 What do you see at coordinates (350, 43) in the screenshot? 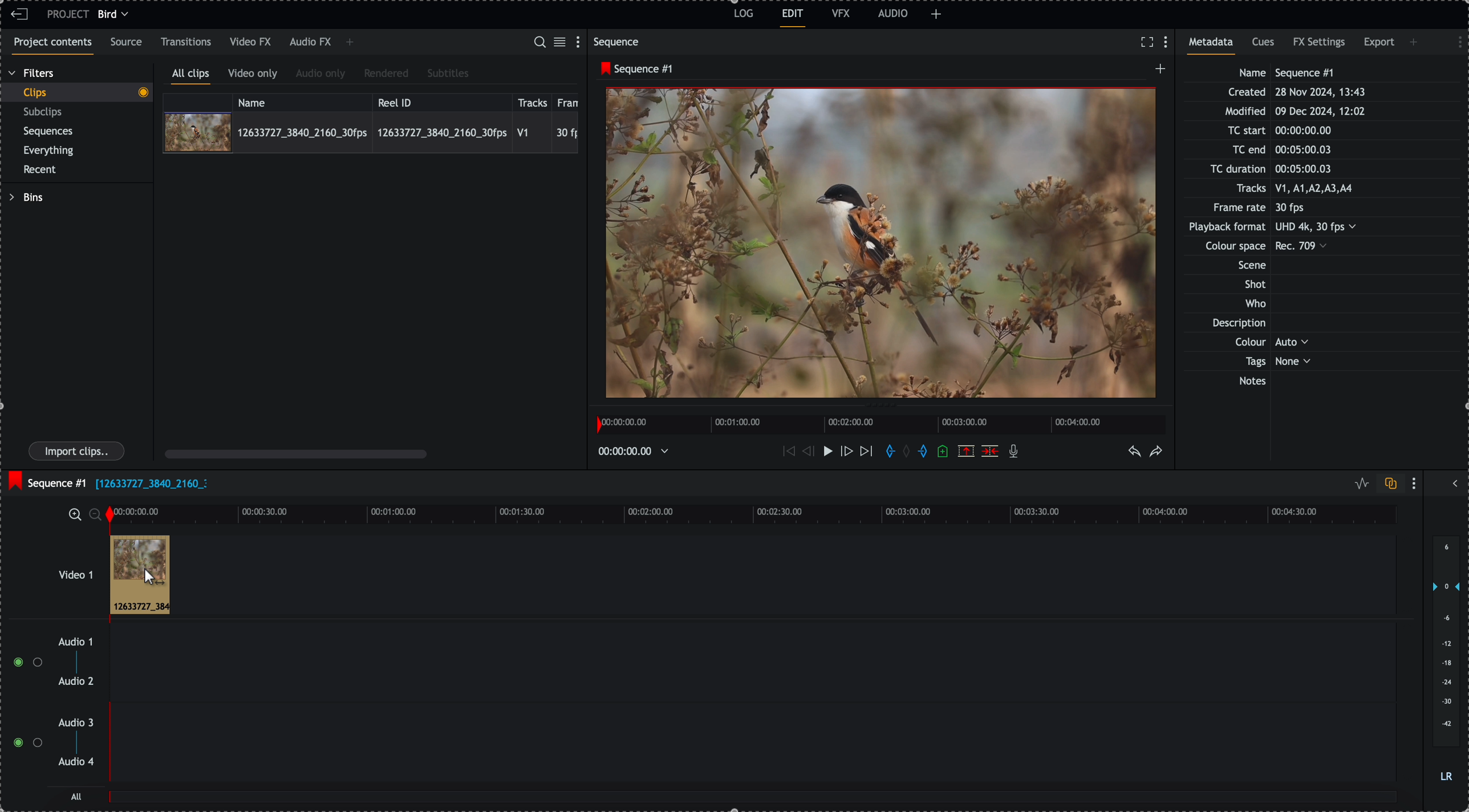
I see `add panel` at bounding box center [350, 43].